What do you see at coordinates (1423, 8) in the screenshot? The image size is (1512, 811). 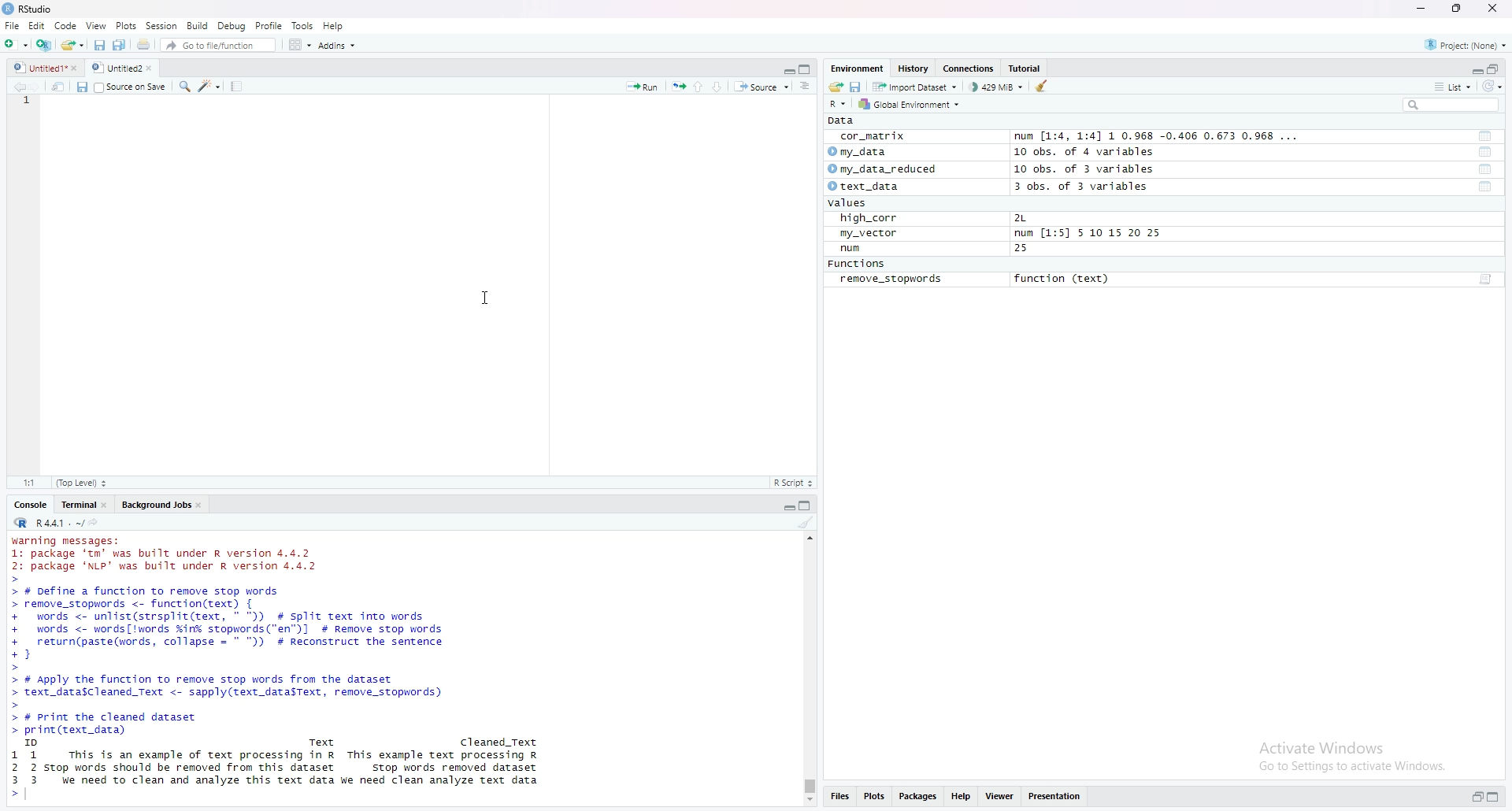 I see `minimize` at bounding box center [1423, 8].